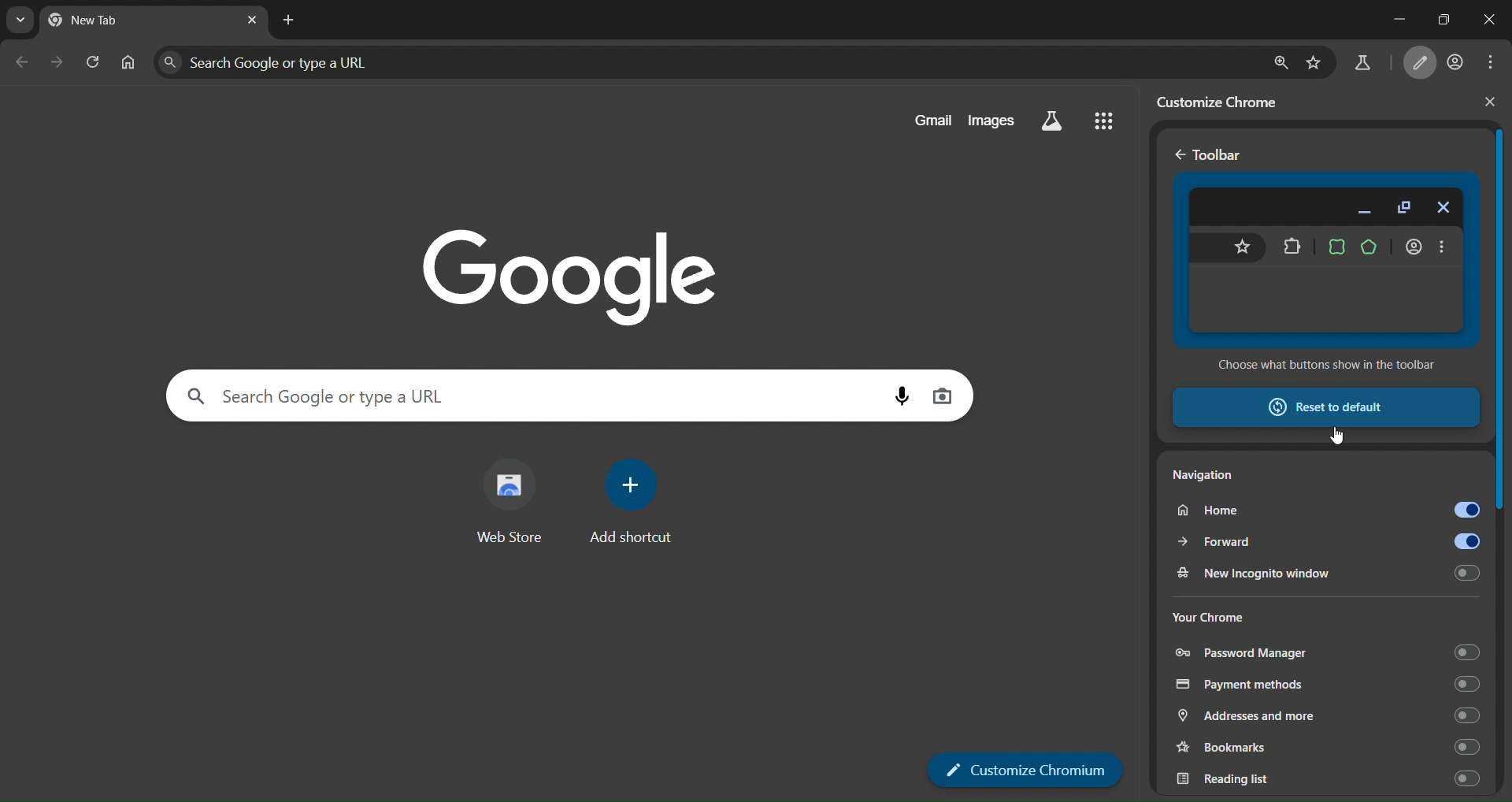 Image resolution: width=1512 pixels, height=802 pixels. I want to click on bookmark , so click(1314, 64).